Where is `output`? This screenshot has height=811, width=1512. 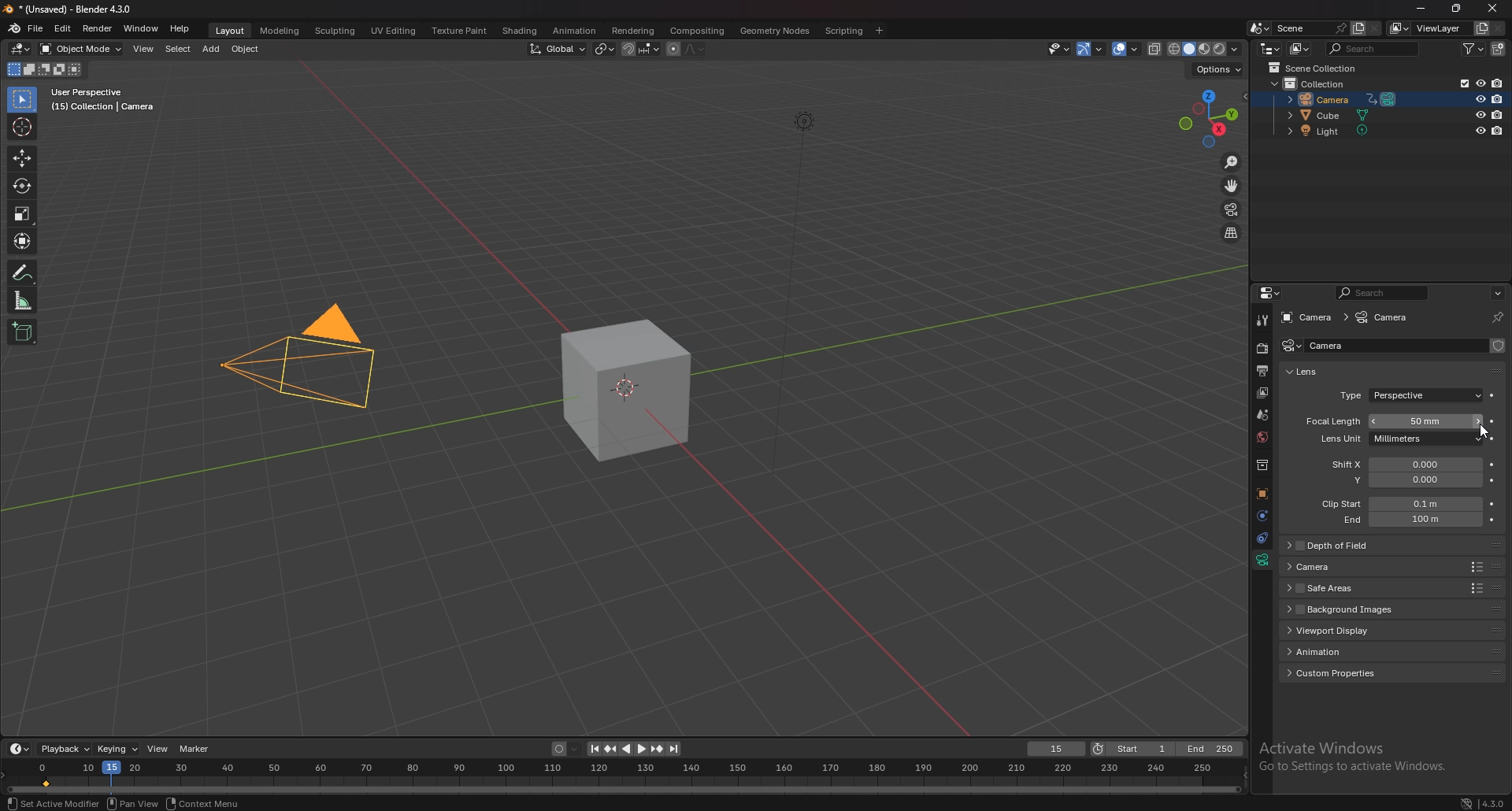
output is located at coordinates (1263, 370).